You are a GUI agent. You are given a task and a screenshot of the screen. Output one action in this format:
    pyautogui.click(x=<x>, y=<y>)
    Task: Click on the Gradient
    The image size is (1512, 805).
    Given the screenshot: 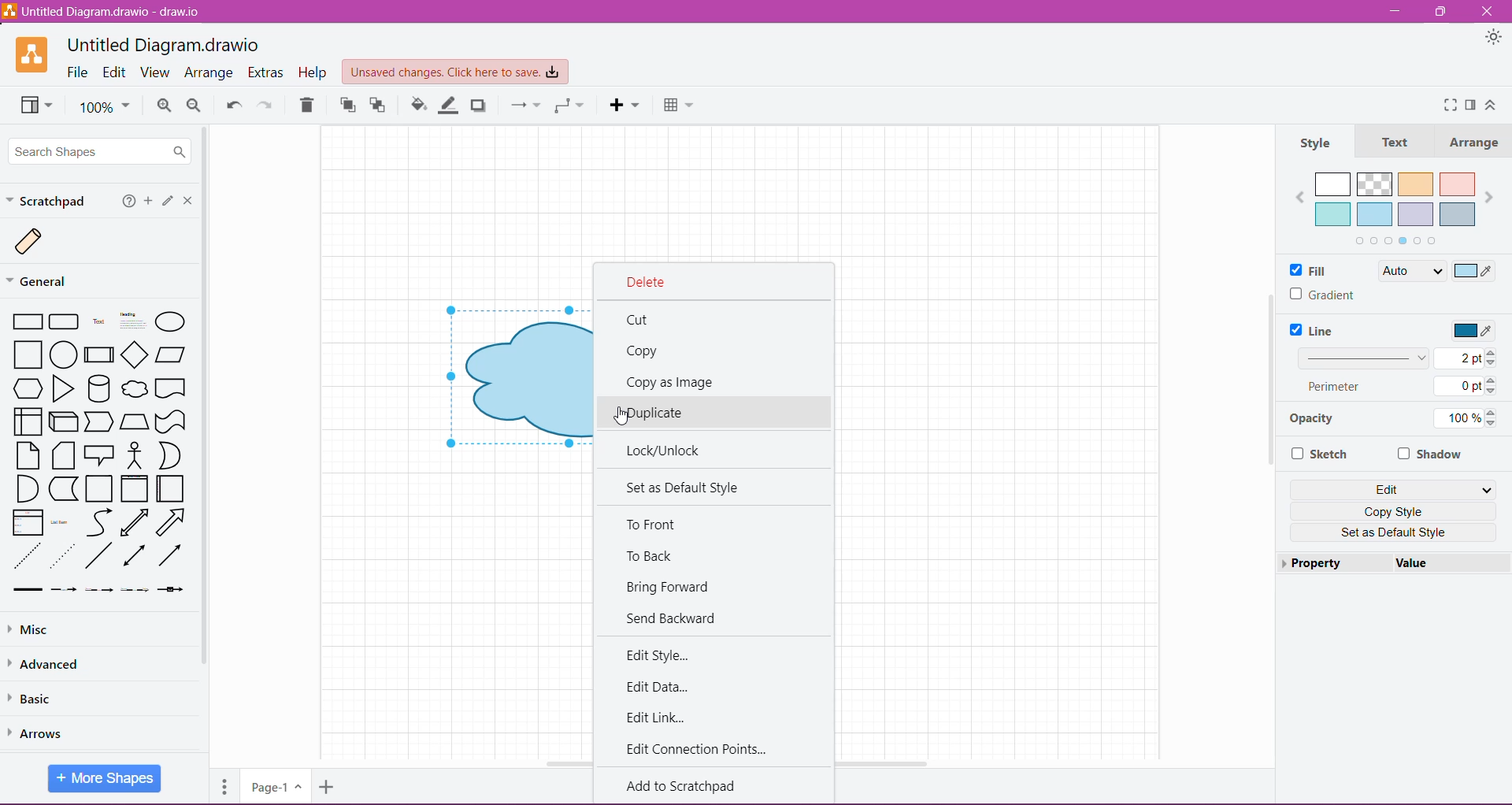 What is the action you would take?
    pyautogui.click(x=1325, y=297)
    